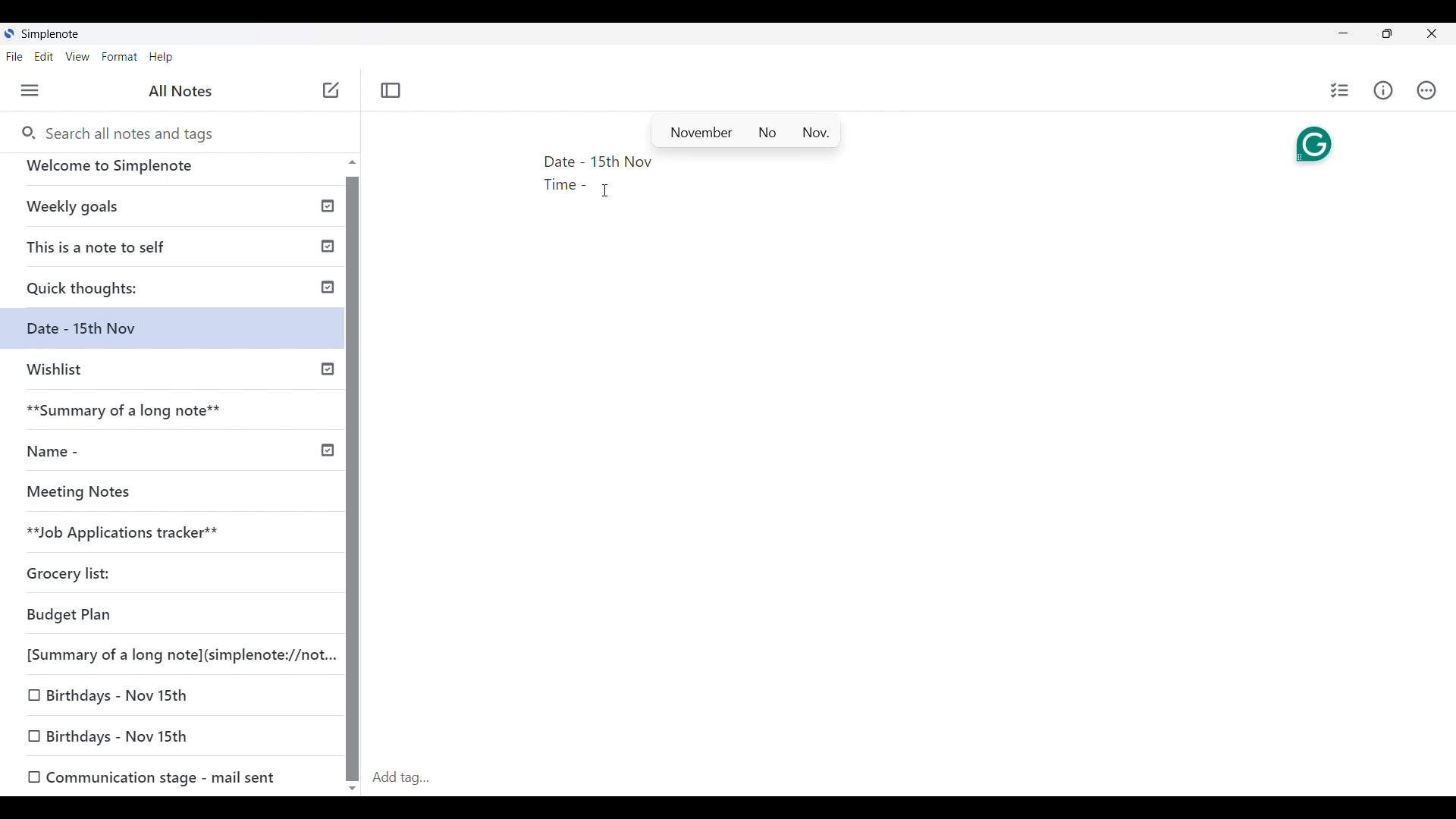 This screenshot has height=819, width=1456. I want to click on View menu, so click(78, 56).